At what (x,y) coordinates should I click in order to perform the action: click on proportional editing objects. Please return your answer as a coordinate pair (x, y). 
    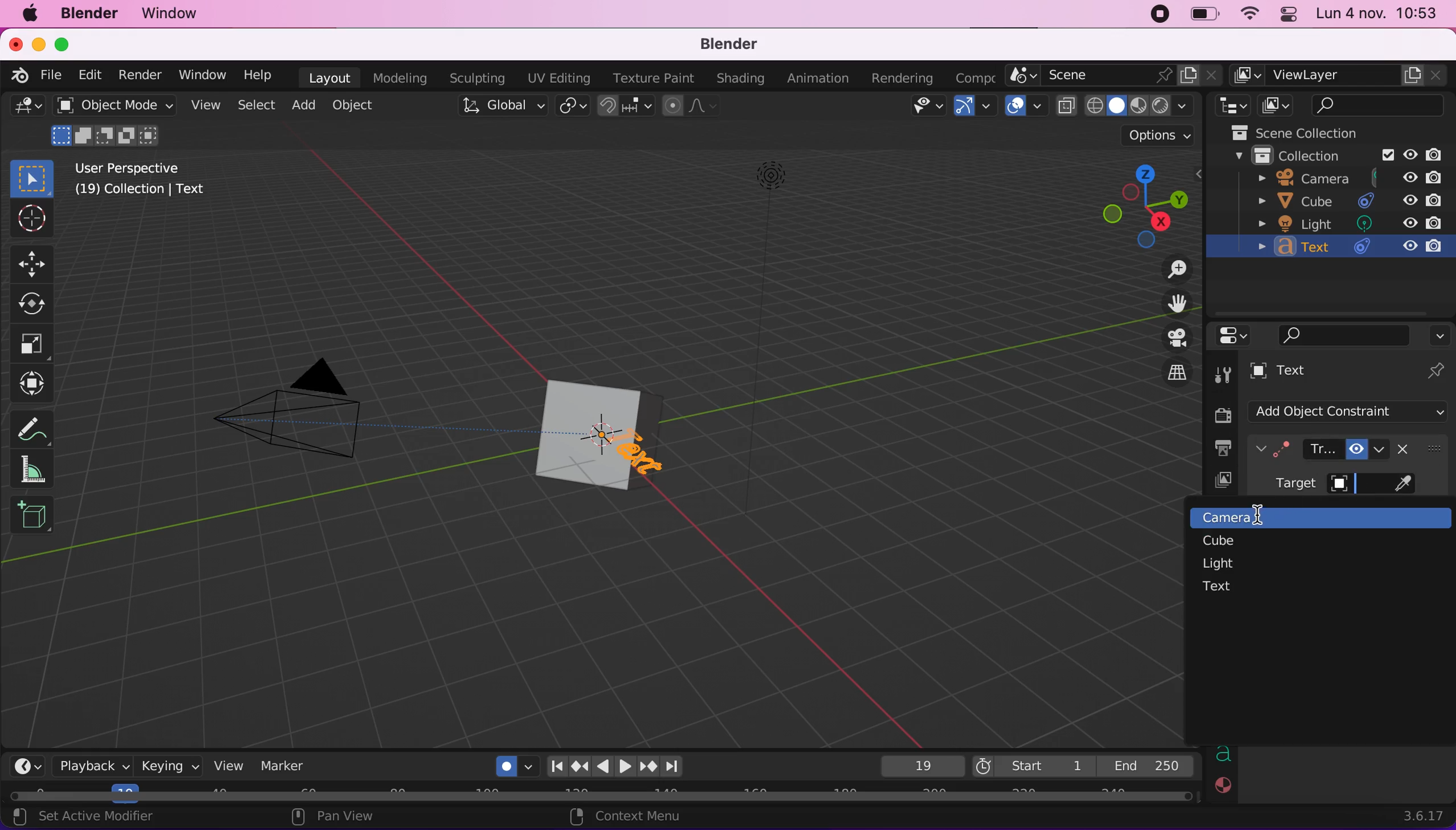
    Looking at the image, I should click on (690, 107).